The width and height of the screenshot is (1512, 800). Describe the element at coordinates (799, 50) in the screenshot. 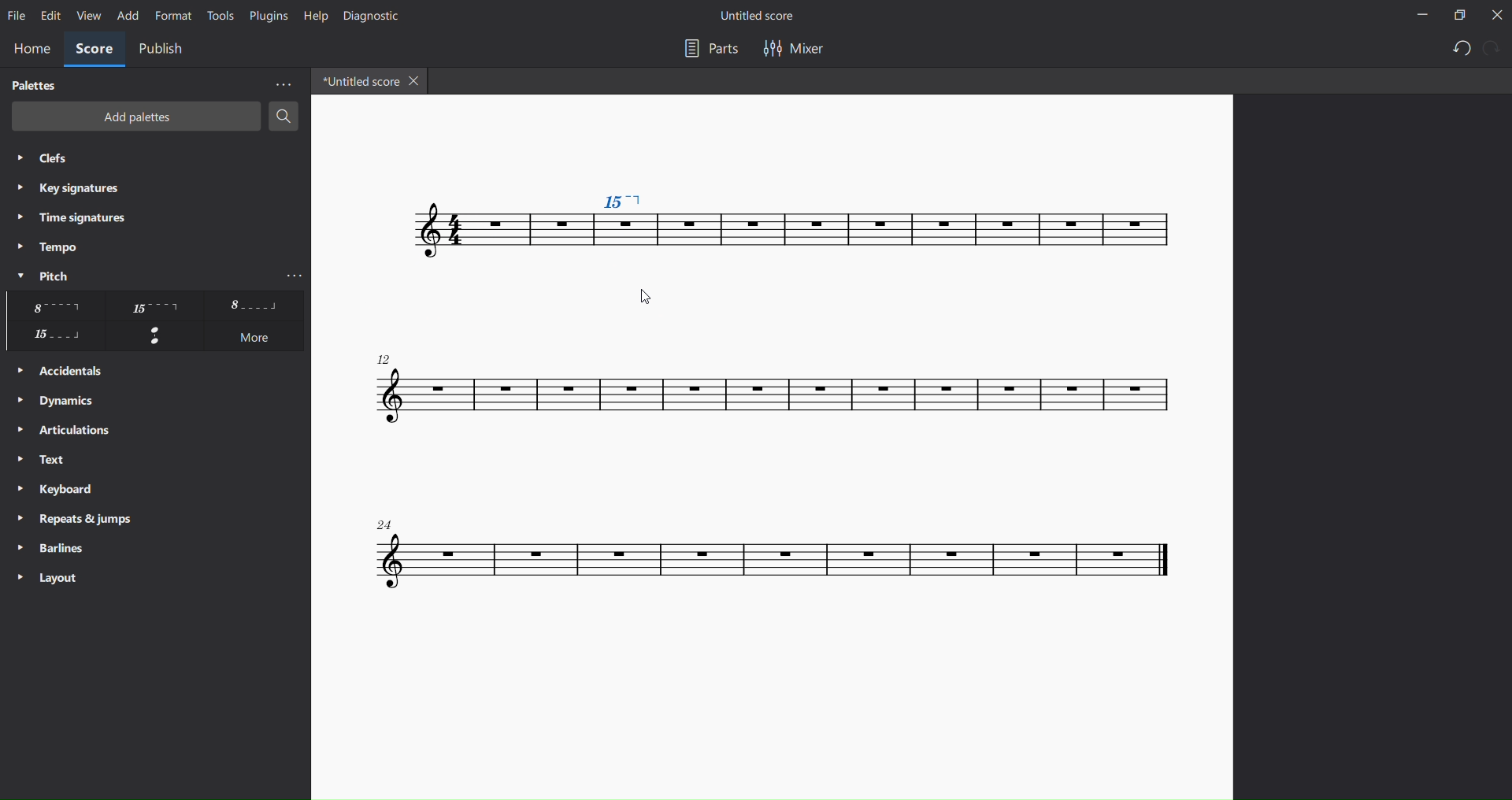

I see `mixer` at that location.